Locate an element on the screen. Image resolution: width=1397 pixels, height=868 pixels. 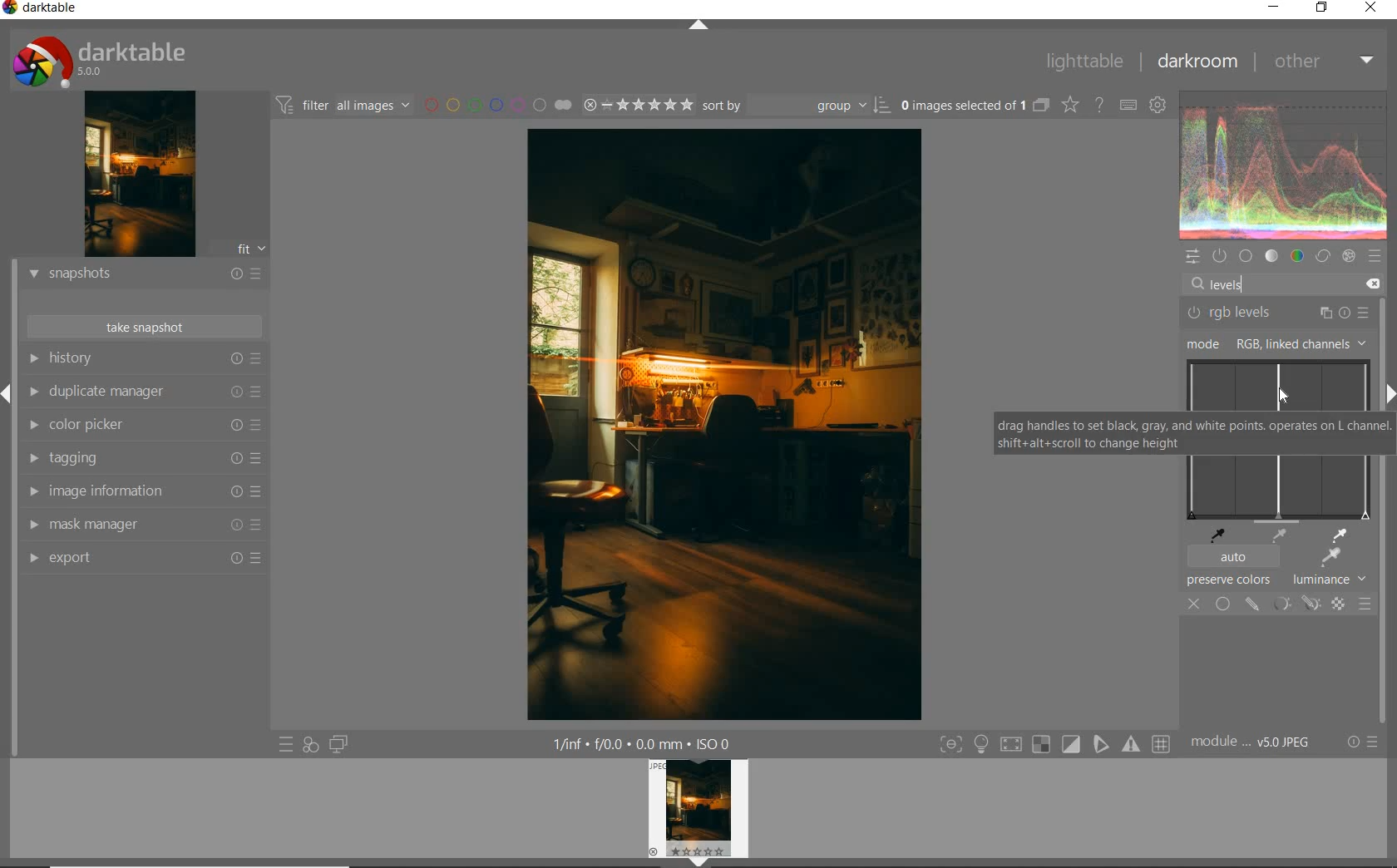
correct is located at coordinates (1323, 256).